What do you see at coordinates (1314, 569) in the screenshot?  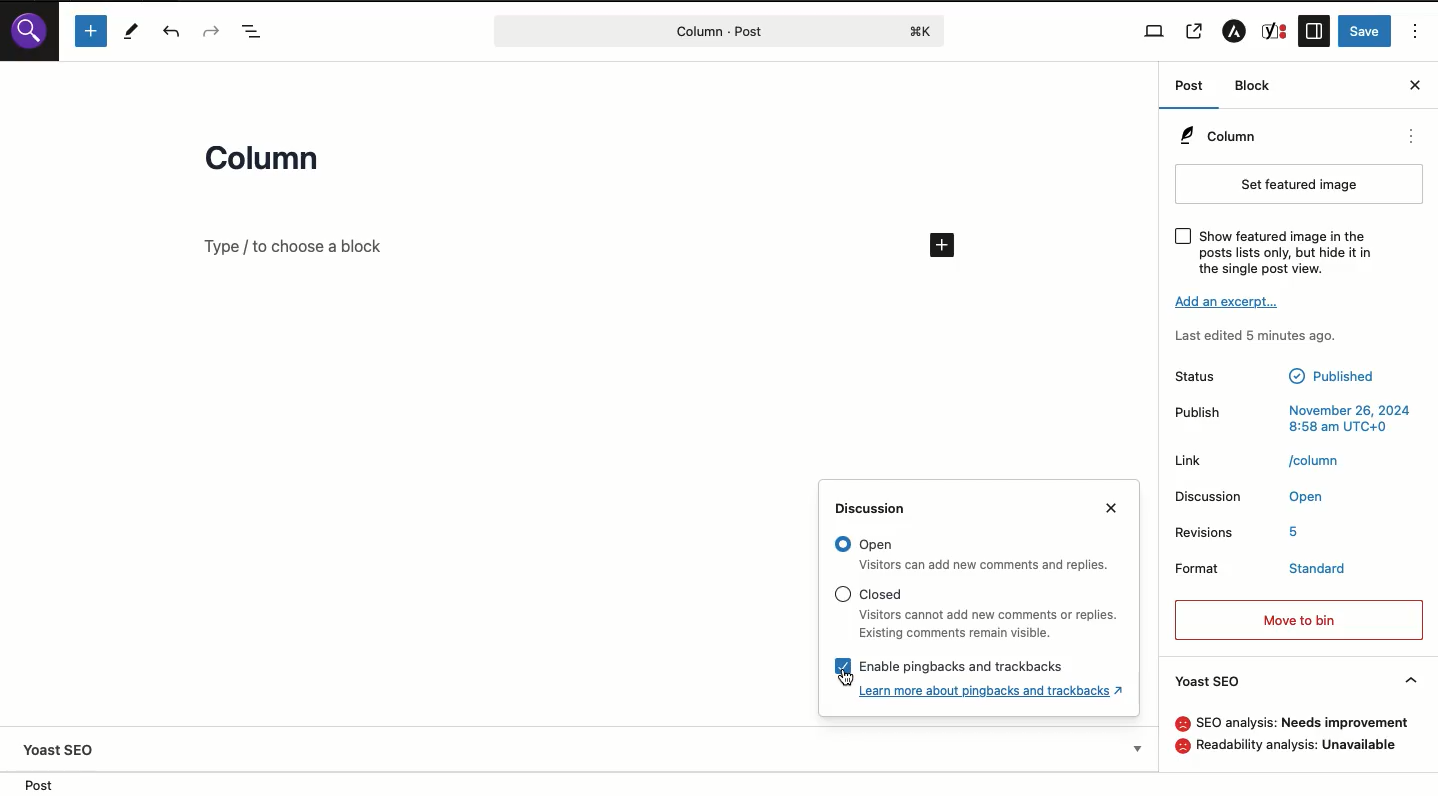 I see `text` at bounding box center [1314, 569].